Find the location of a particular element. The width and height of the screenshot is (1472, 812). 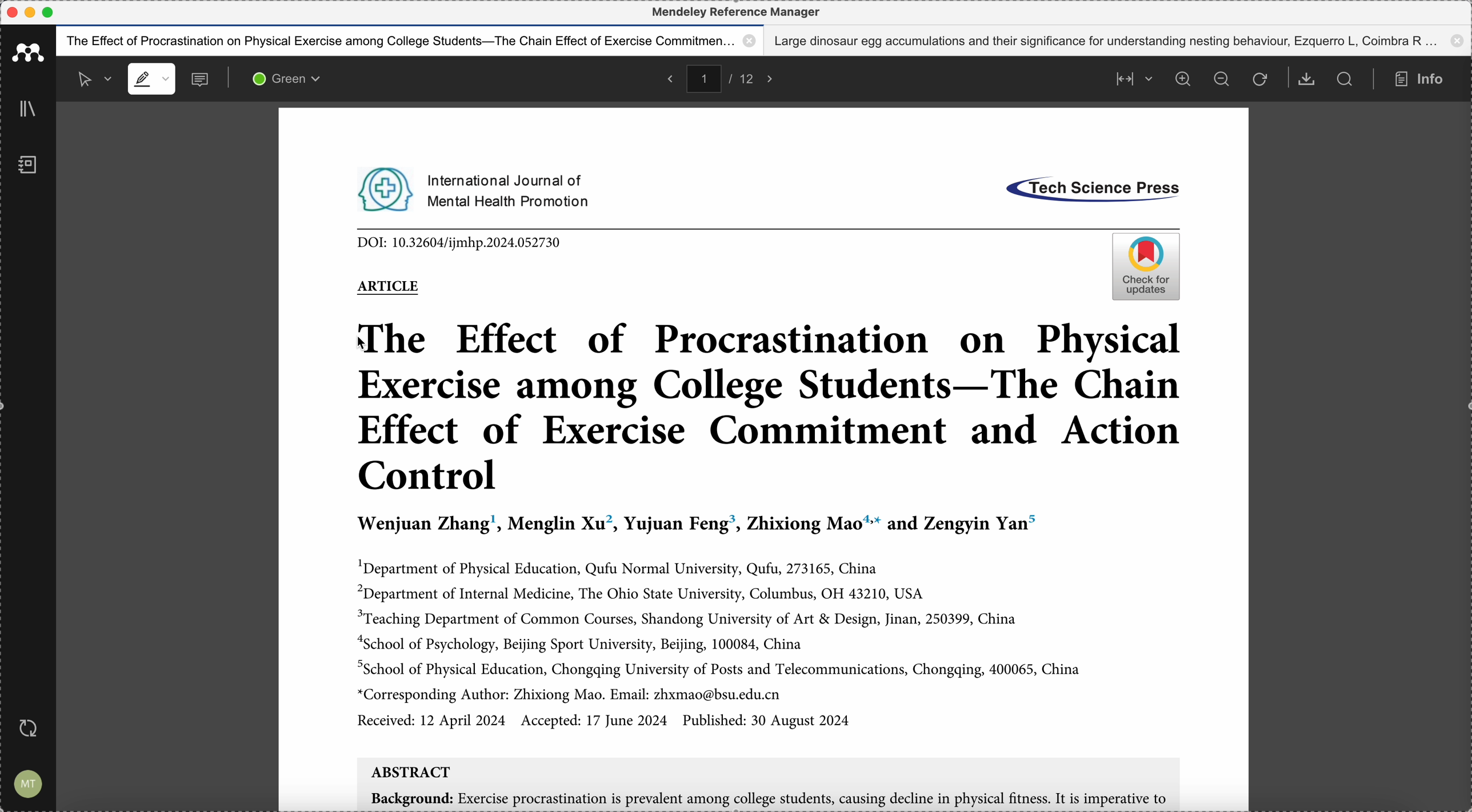

highlight mode is located at coordinates (151, 79).